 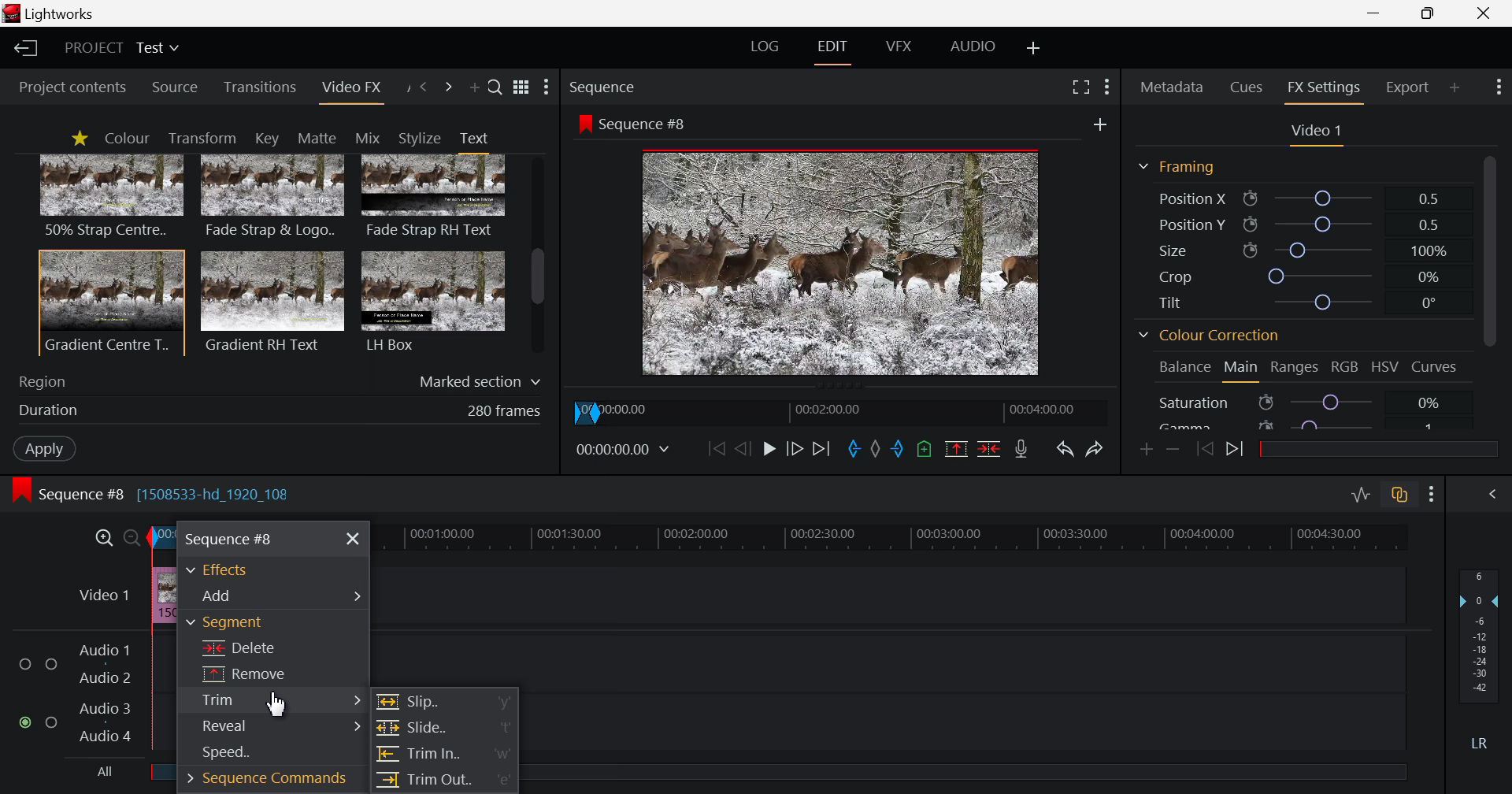 What do you see at coordinates (113, 195) in the screenshot?
I see `50% Strap centre` at bounding box center [113, 195].